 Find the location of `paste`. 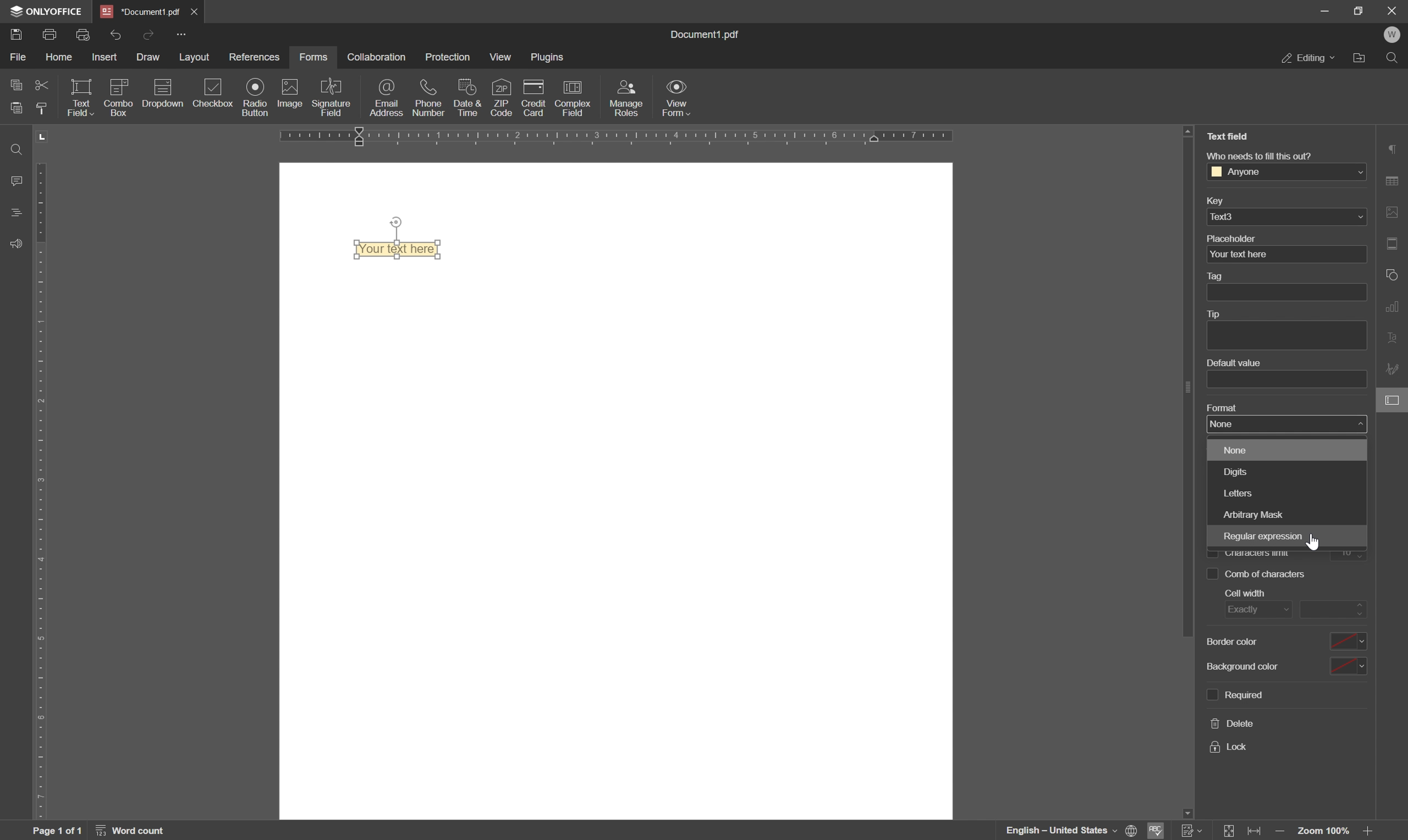

paste is located at coordinates (17, 107).